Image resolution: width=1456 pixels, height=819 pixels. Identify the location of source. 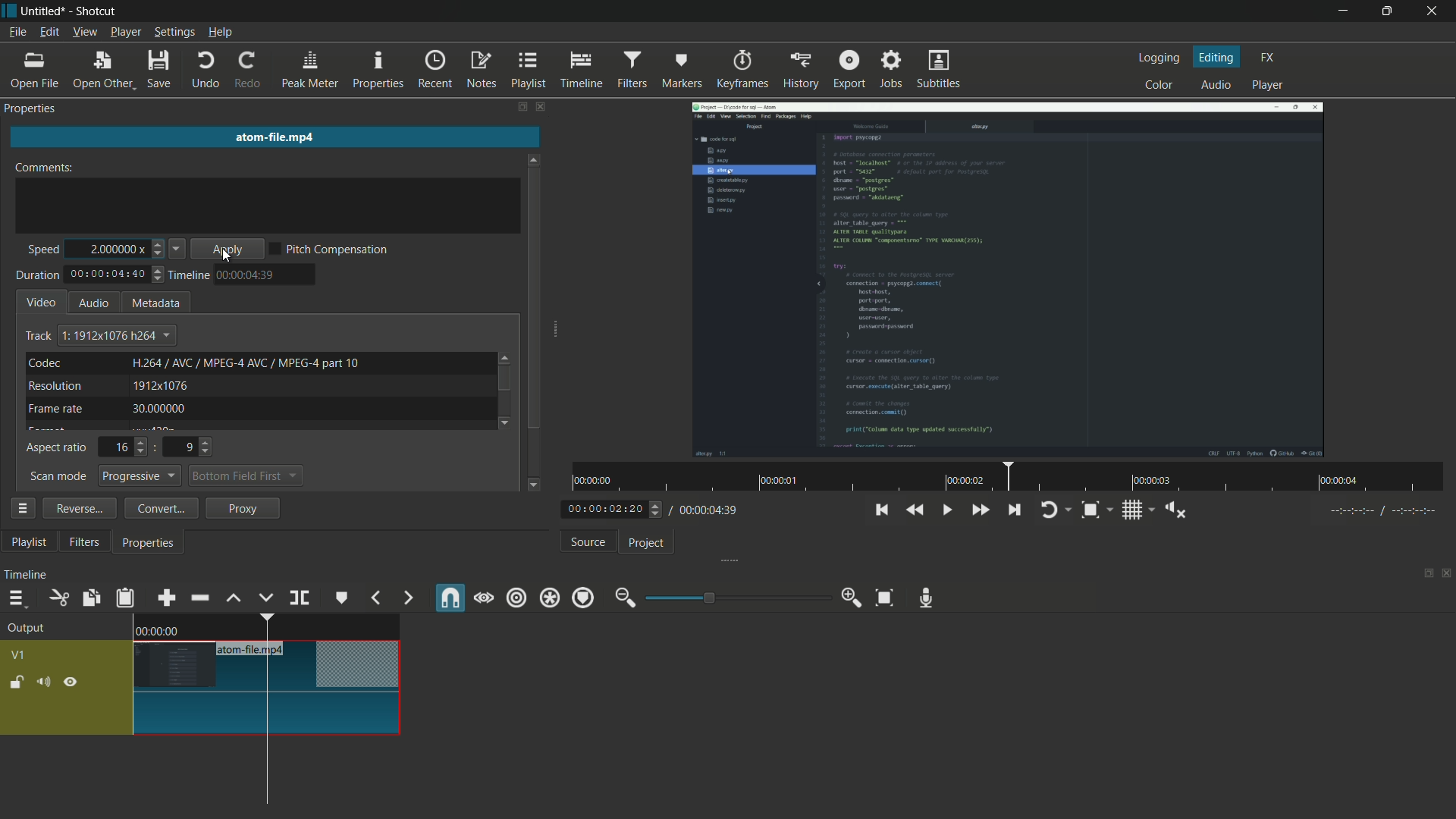
(589, 542).